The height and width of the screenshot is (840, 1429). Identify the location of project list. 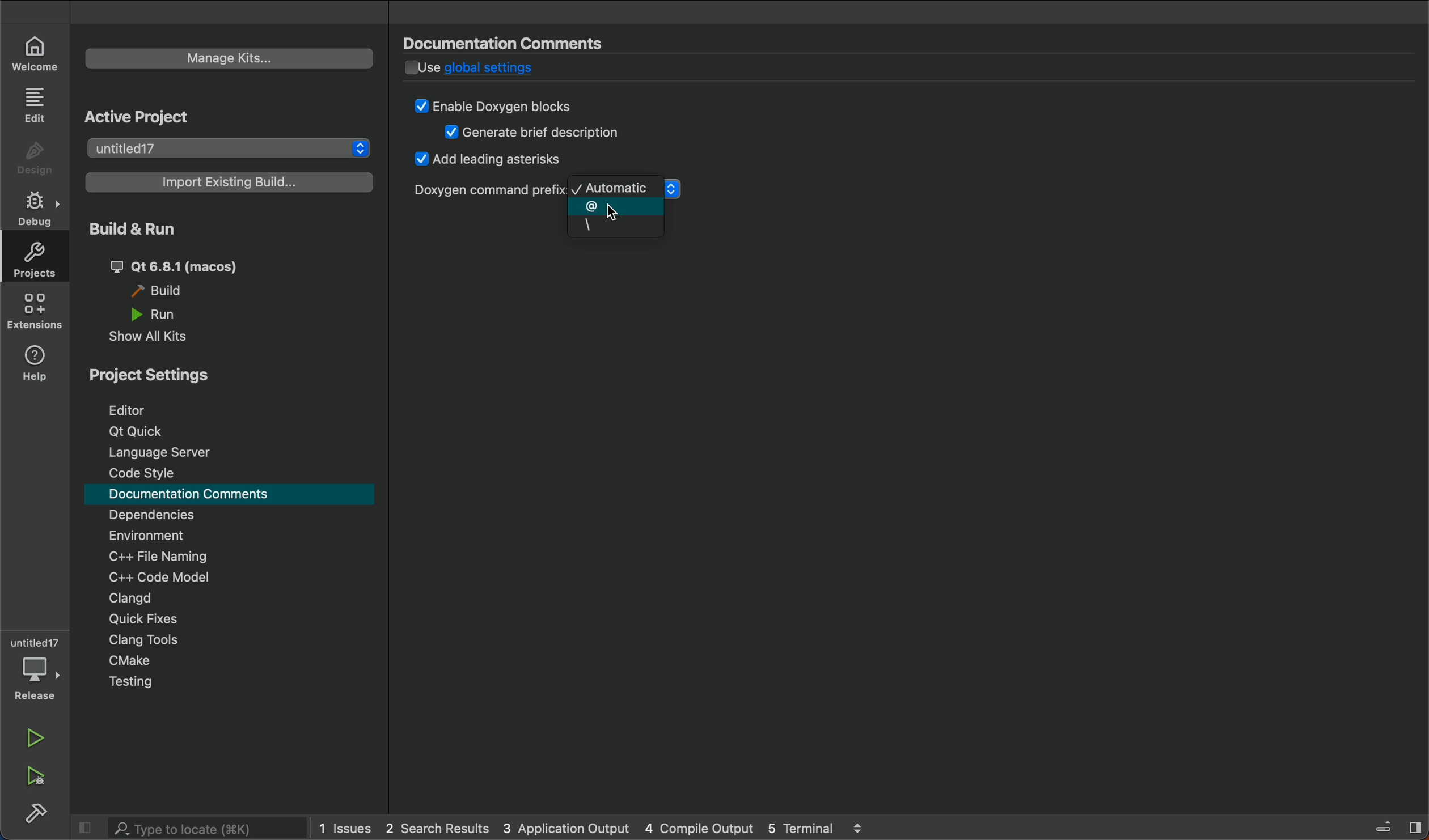
(228, 146).